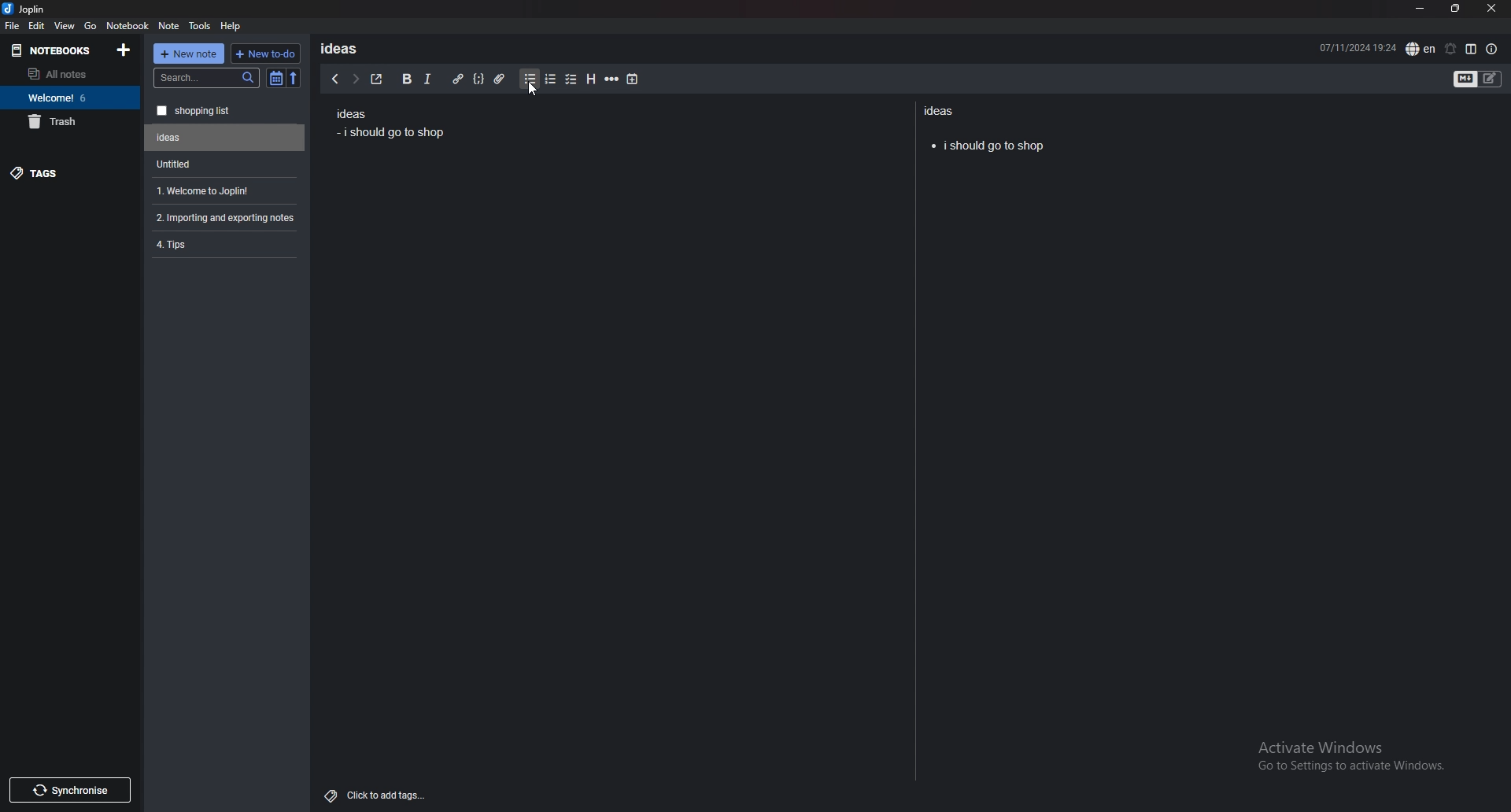  I want to click on Tips, so click(224, 243).